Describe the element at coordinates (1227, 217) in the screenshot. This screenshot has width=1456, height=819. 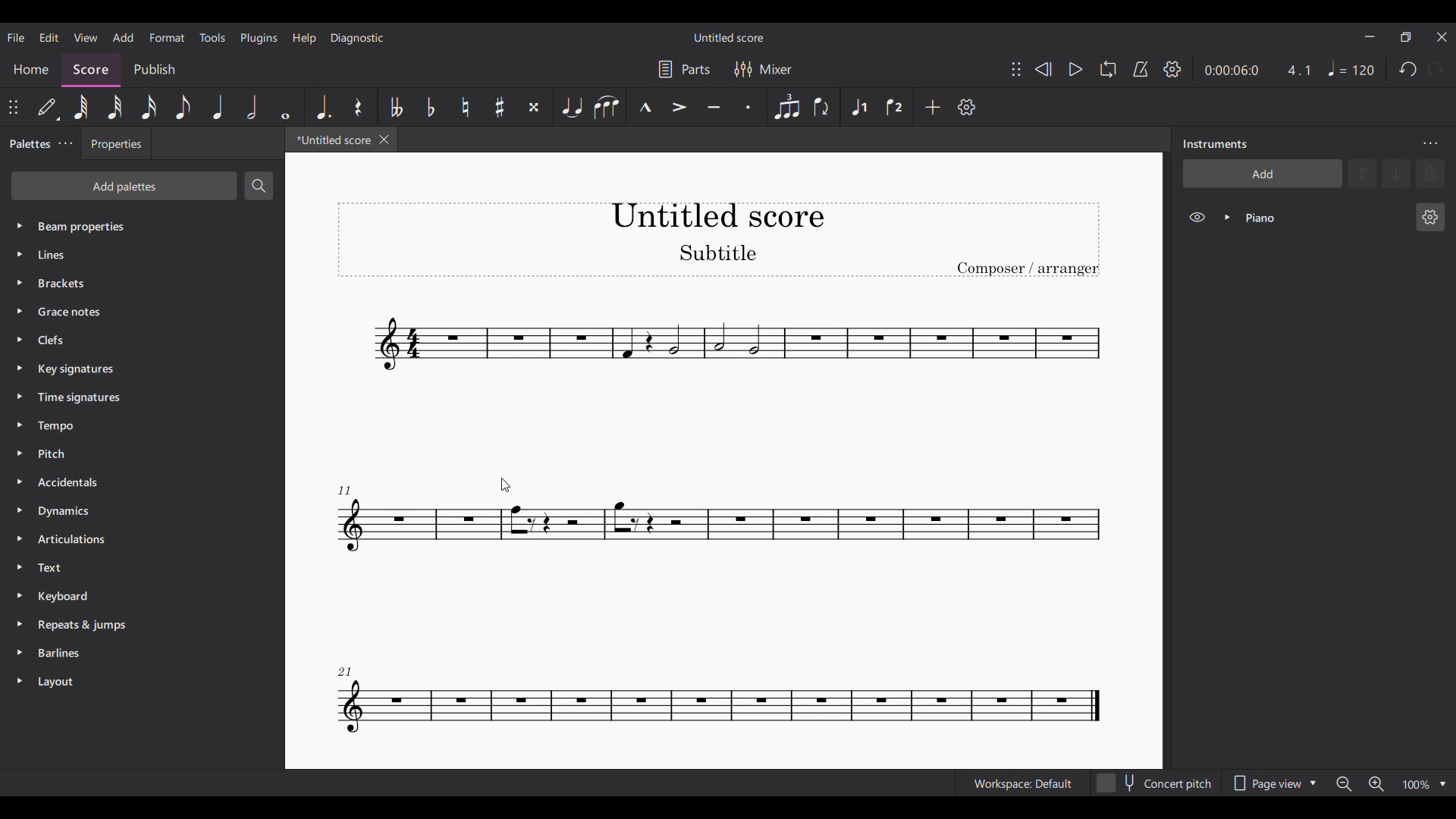
I see `Expand` at that location.